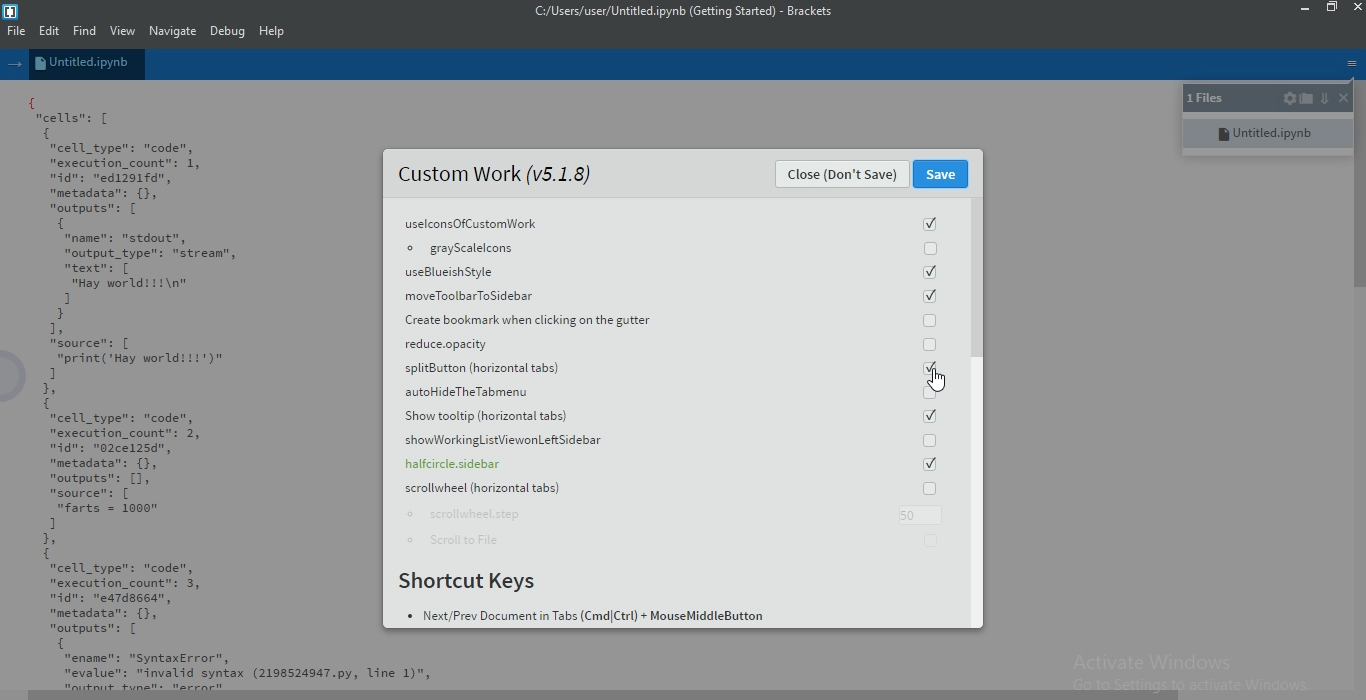 The width and height of the screenshot is (1366, 700). Describe the element at coordinates (1324, 99) in the screenshot. I see `down` at that location.